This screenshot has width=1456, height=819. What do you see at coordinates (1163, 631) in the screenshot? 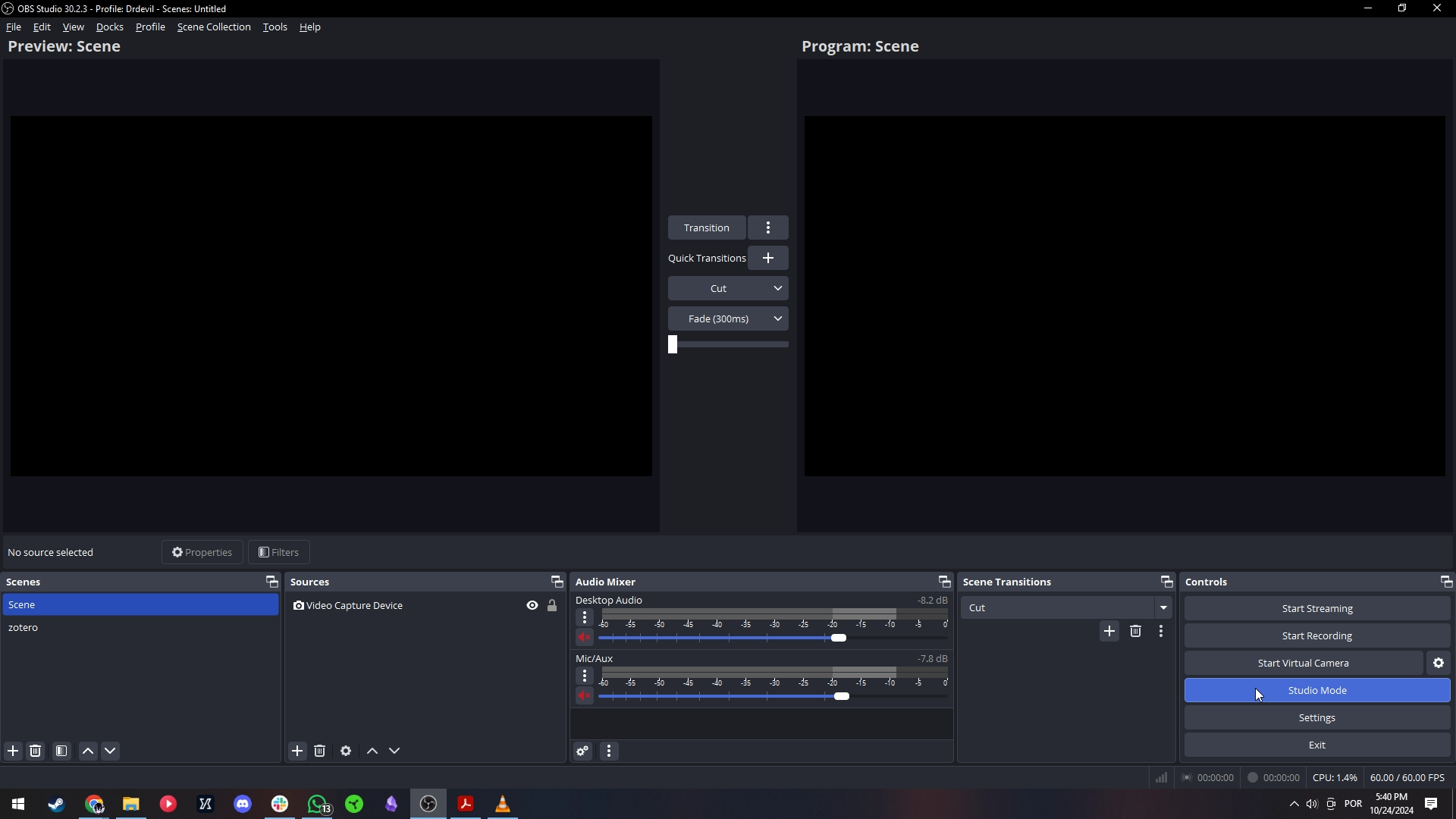
I see `Transition properties` at bounding box center [1163, 631].